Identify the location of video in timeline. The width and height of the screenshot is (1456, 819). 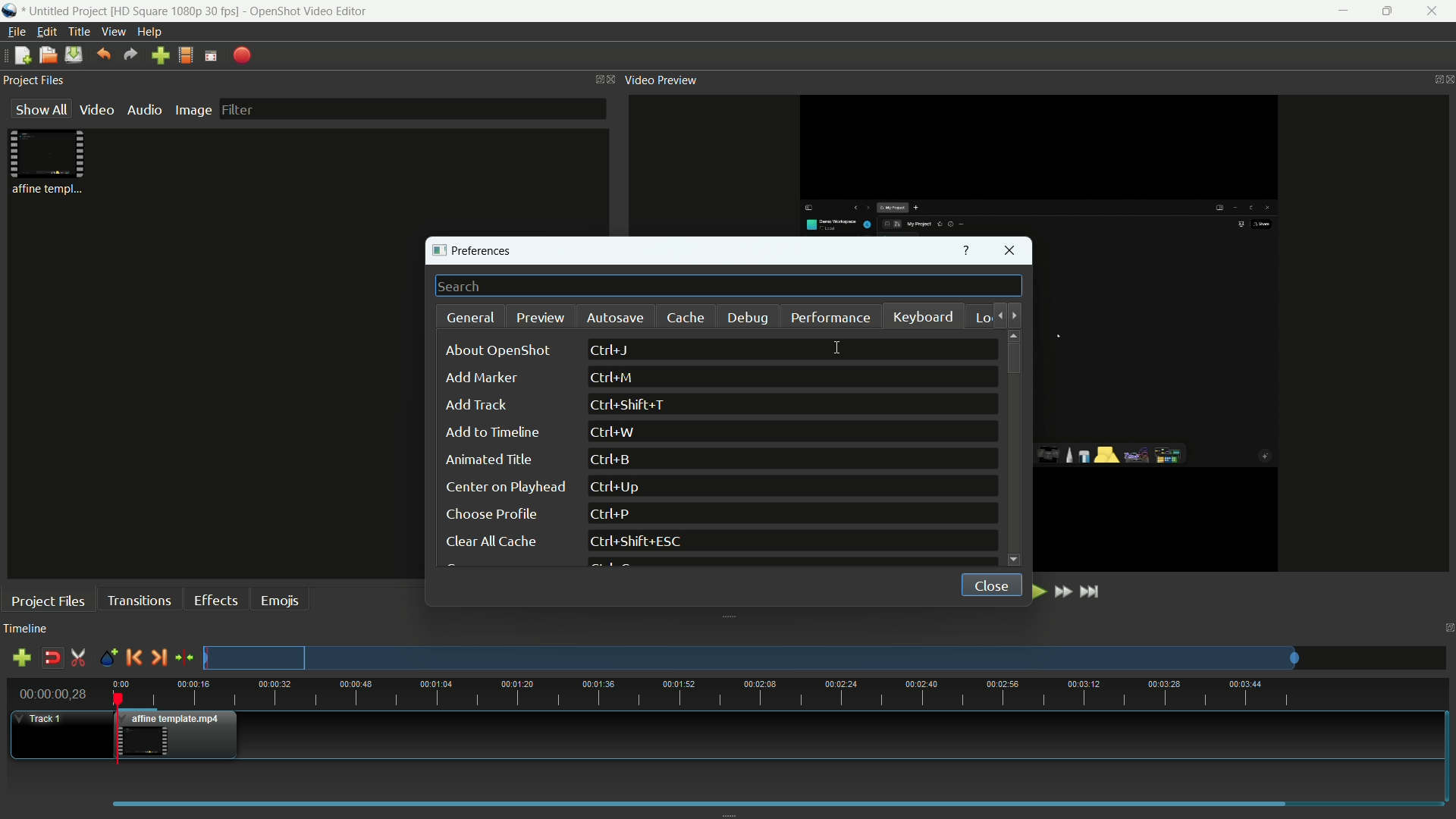
(180, 735).